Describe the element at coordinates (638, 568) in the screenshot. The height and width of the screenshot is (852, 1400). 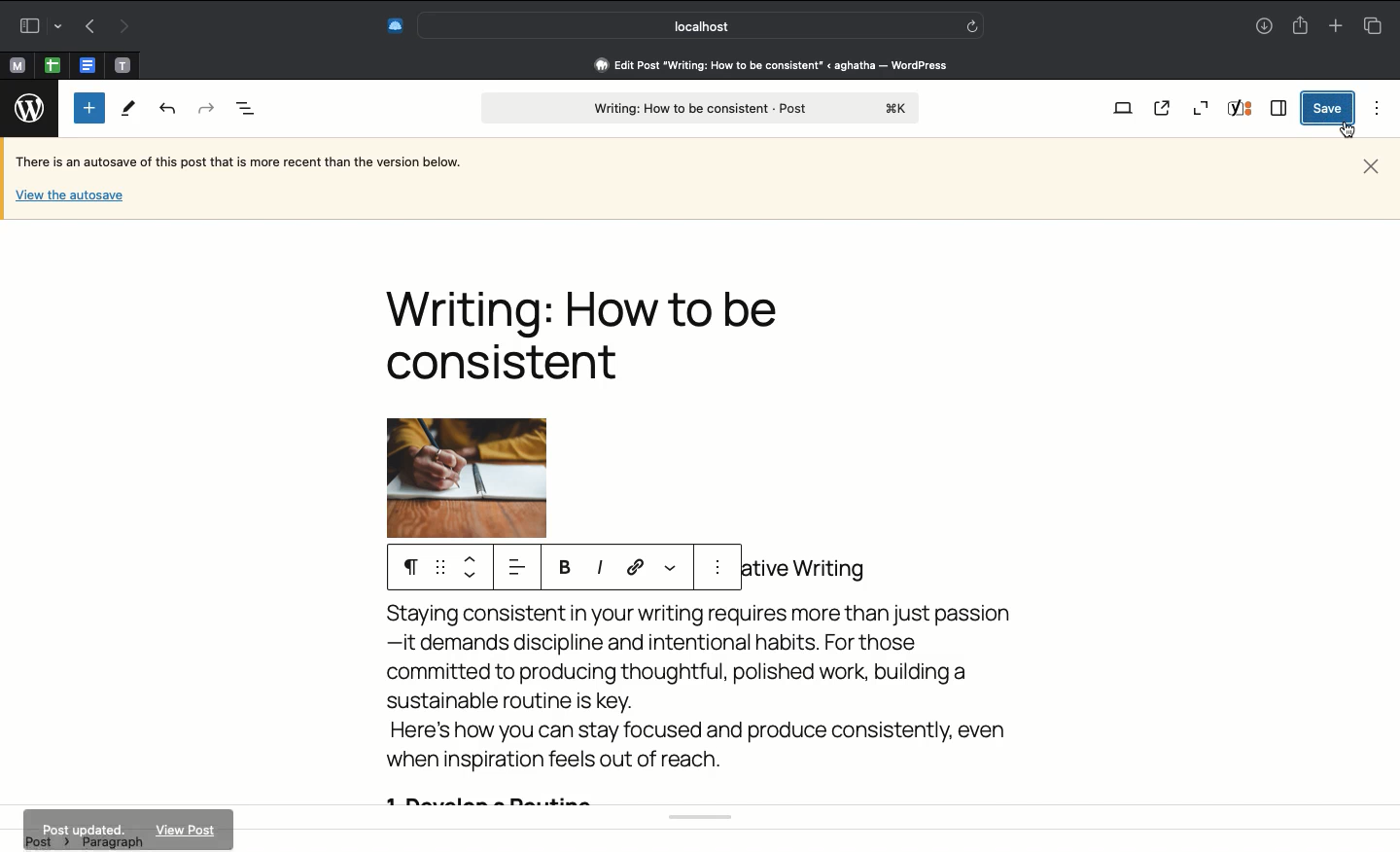
I see `Link` at that location.